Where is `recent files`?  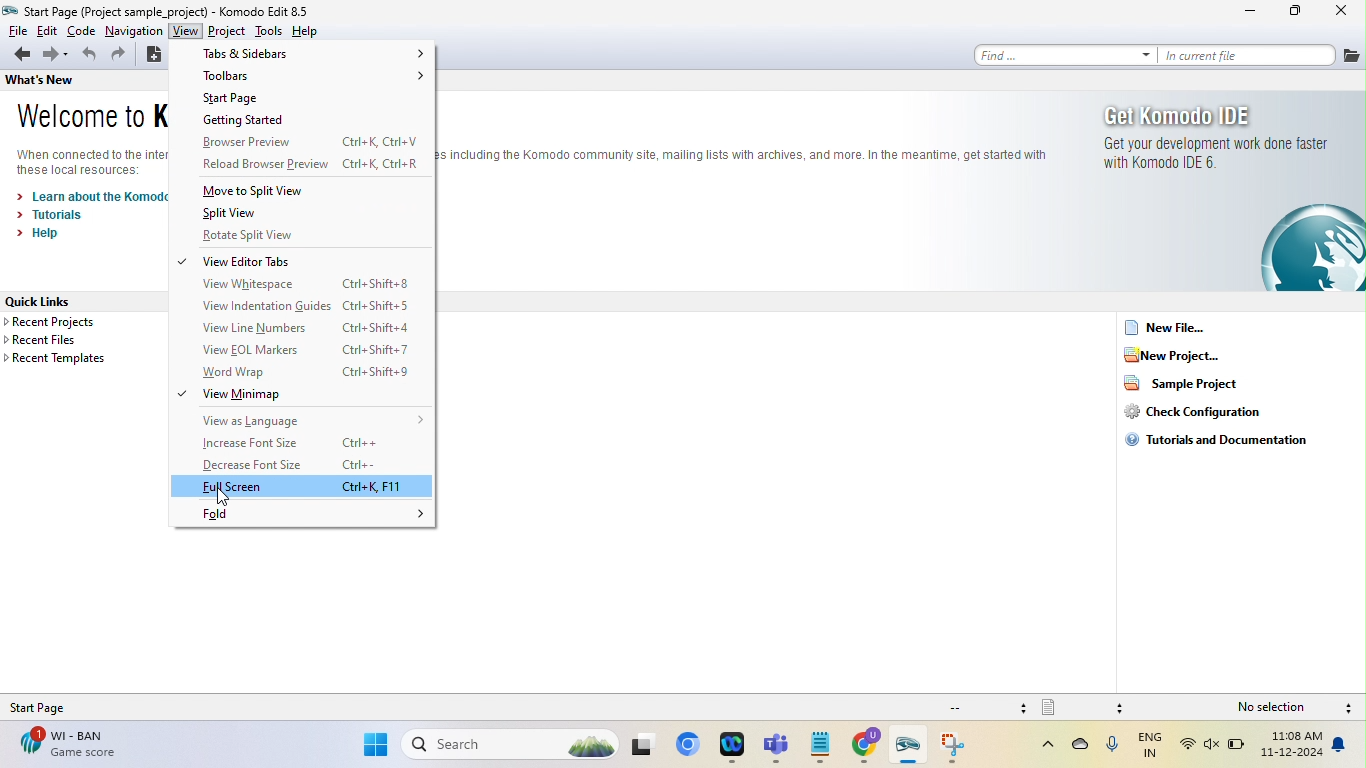
recent files is located at coordinates (68, 341).